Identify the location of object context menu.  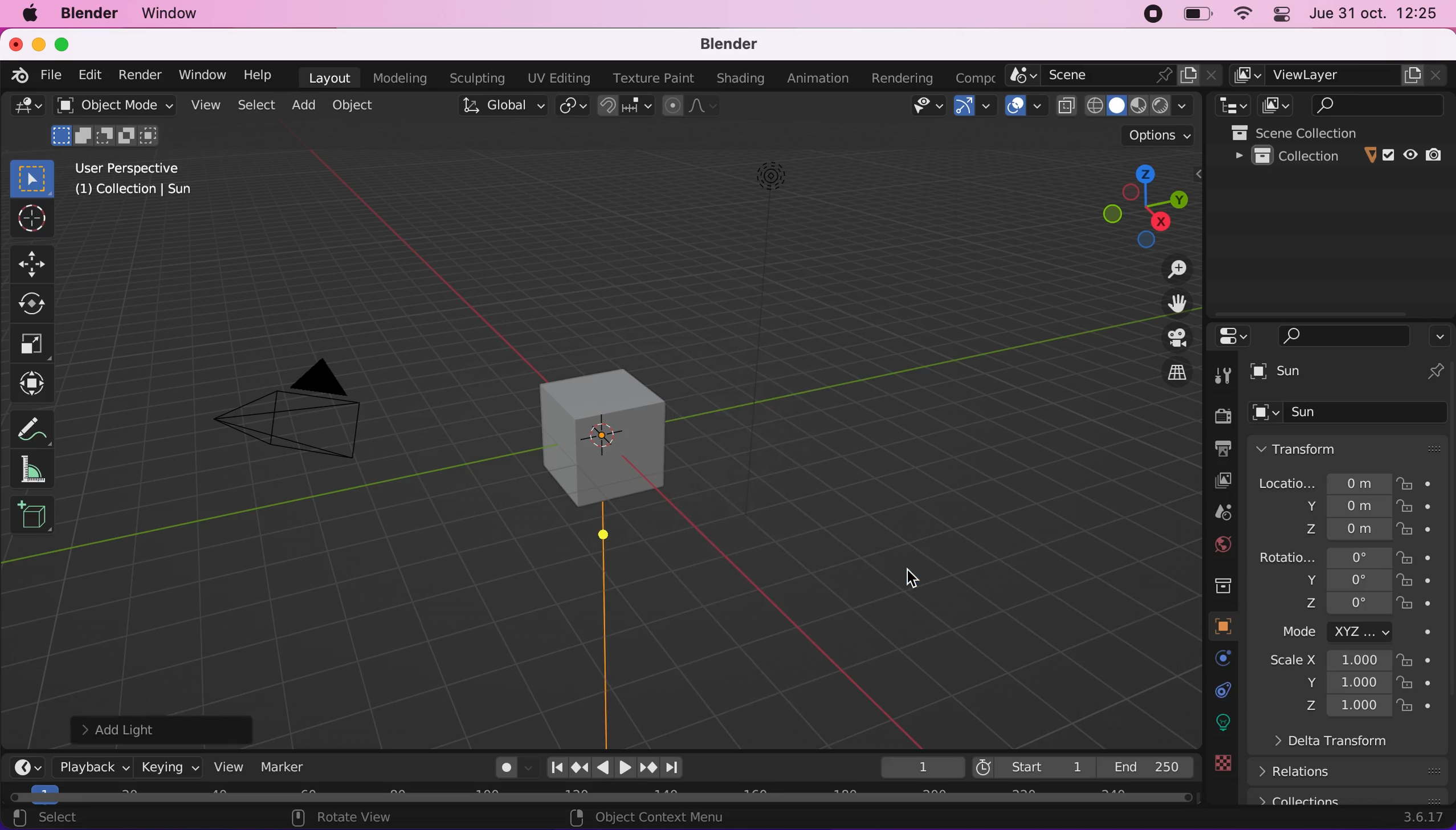
(642, 817).